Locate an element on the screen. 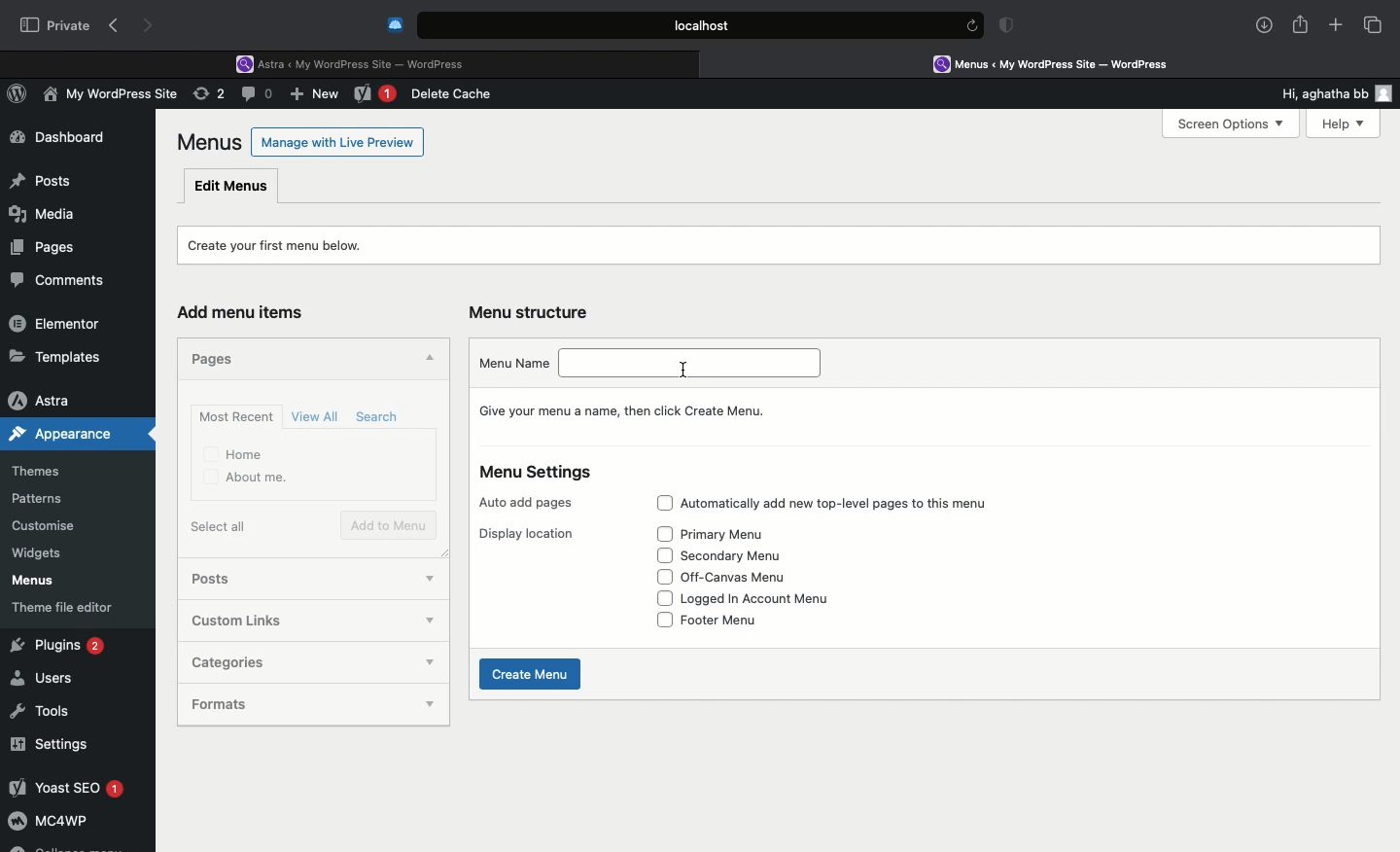 The height and width of the screenshot is (852, 1400). Delete cache is located at coordinates (455, 94).